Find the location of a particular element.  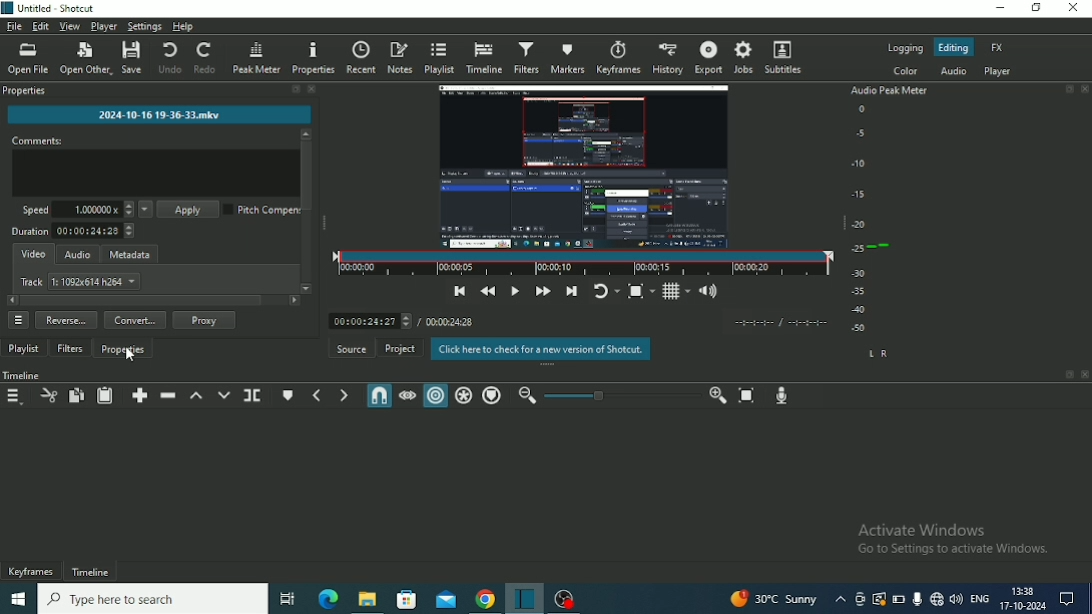

Player is located at coordinates (103, 26).